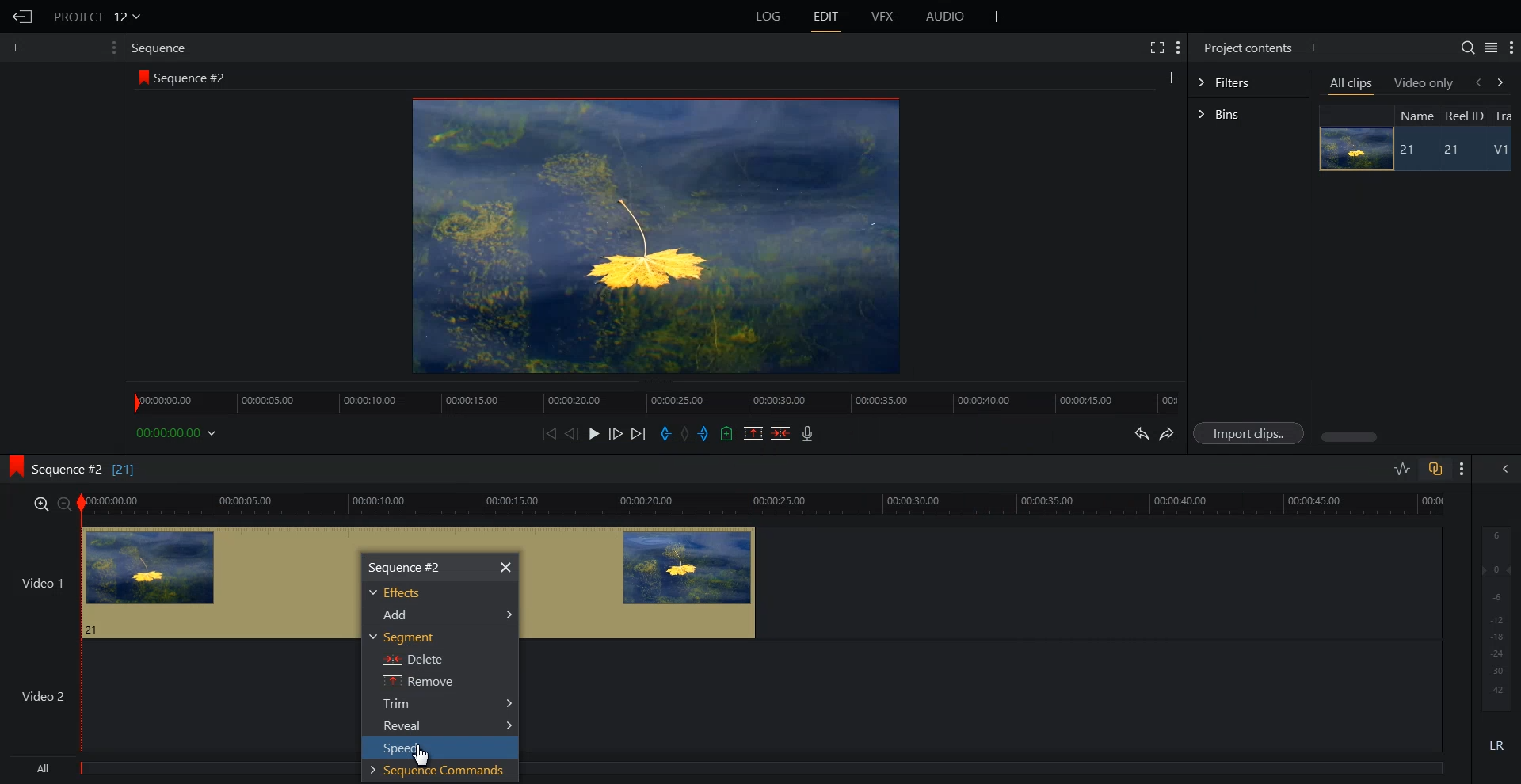  What do you see at coordinates (781, 433) in the screenshot?
I see `Delete` at bounding box center [781, 433].